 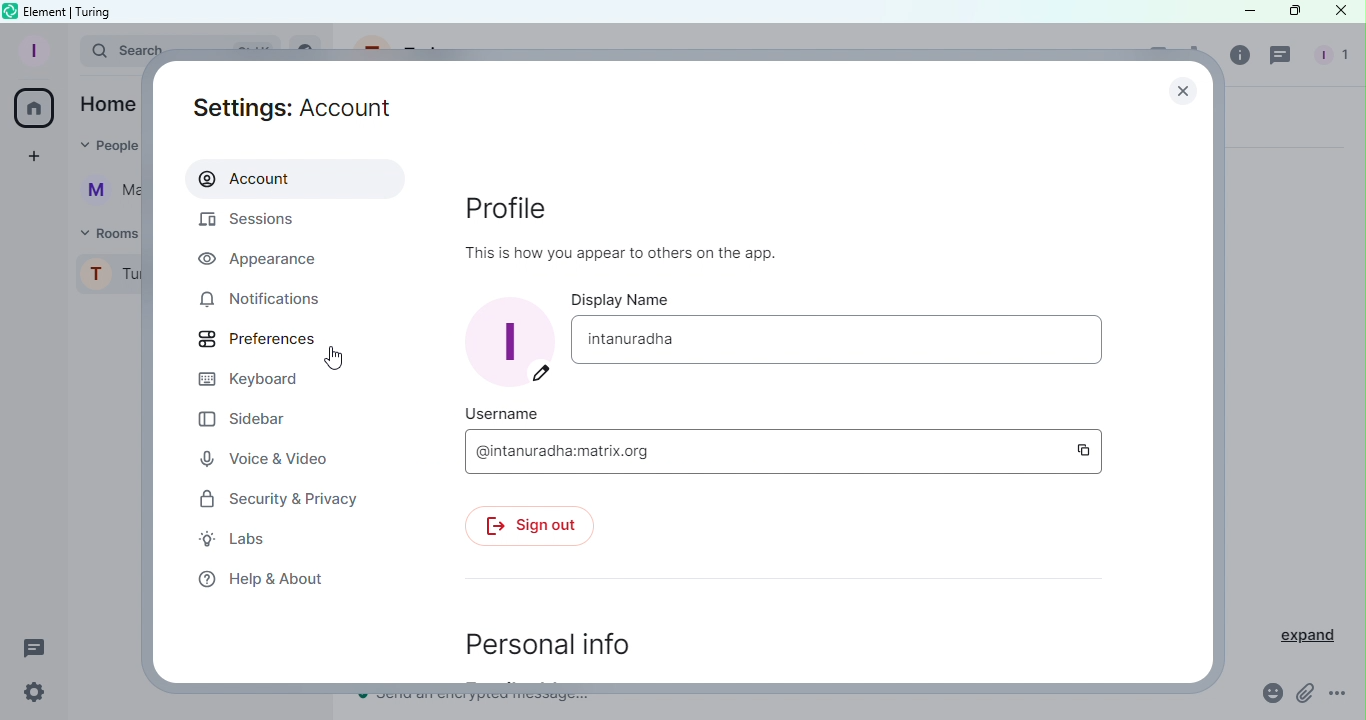 What do you see at coordinates (257, 414) in the screenshot?
I see `Sidebar` at bounding box center [257, 414].